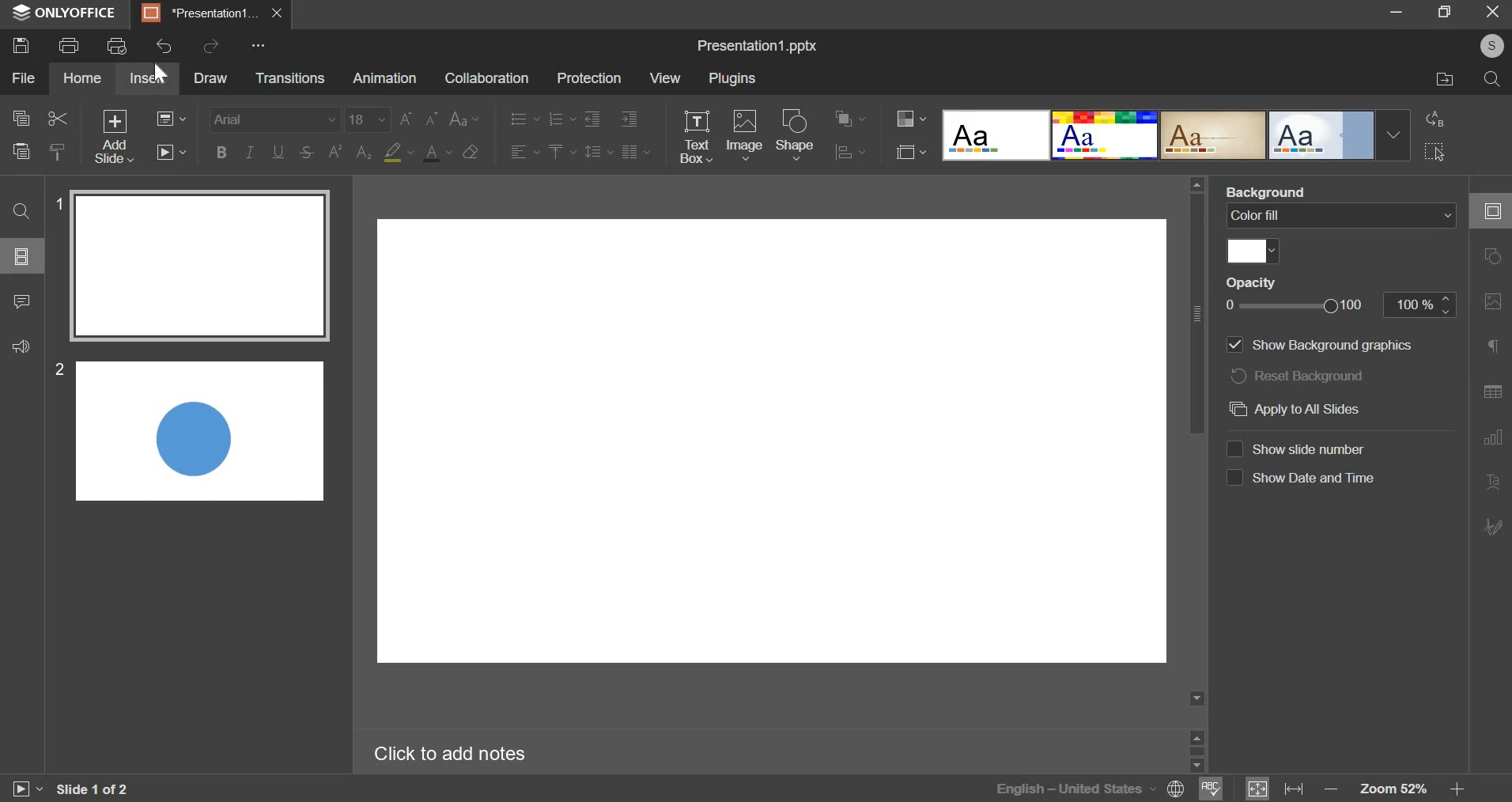  Describe the element at coordinates (1197, 316) in the screenshot. I see `vertical scrollbar` at that location.